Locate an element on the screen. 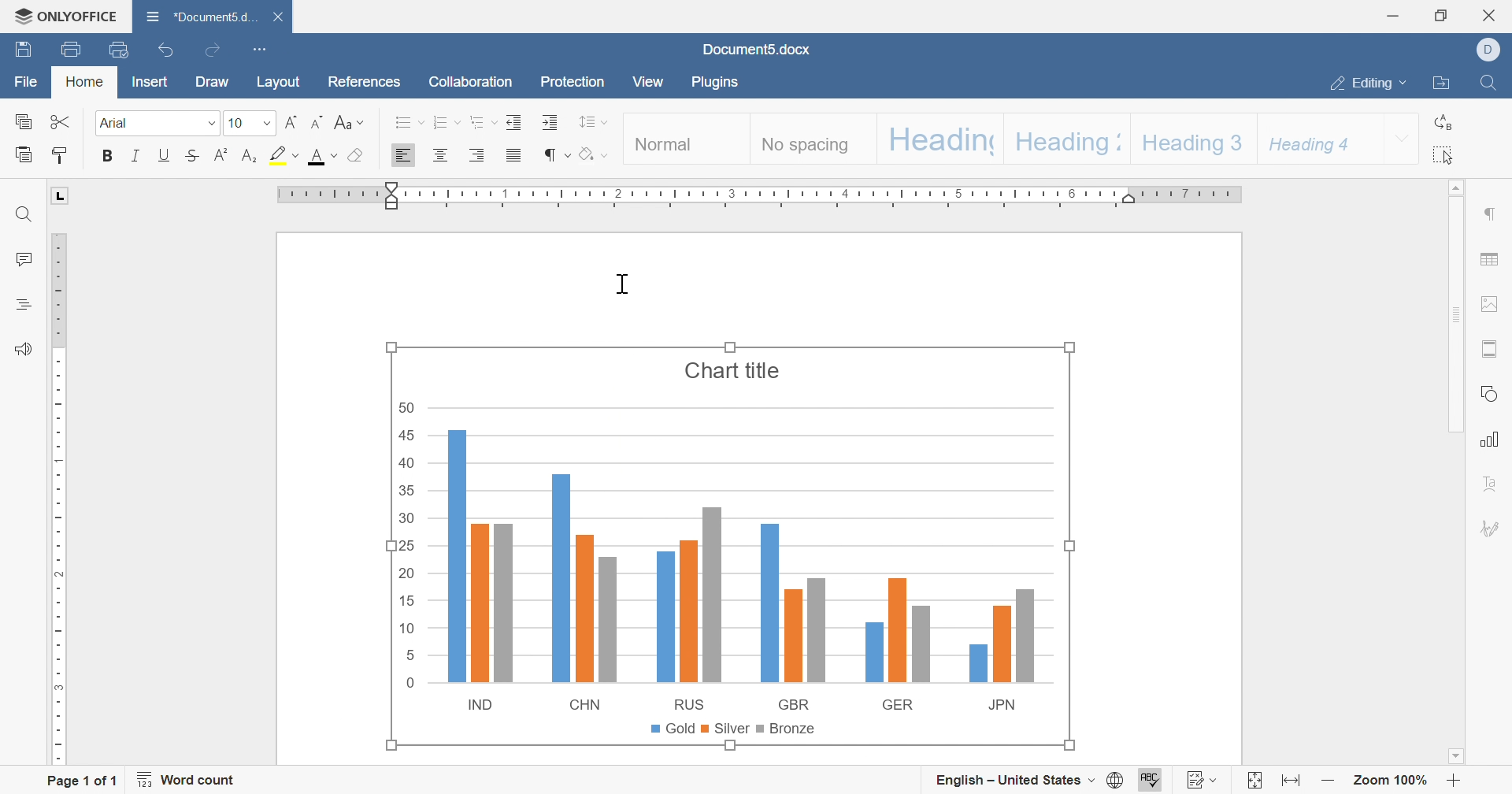 Image resolution: width=1512 pixels, height=794 pixels. file is located at coordinates (26, 82).